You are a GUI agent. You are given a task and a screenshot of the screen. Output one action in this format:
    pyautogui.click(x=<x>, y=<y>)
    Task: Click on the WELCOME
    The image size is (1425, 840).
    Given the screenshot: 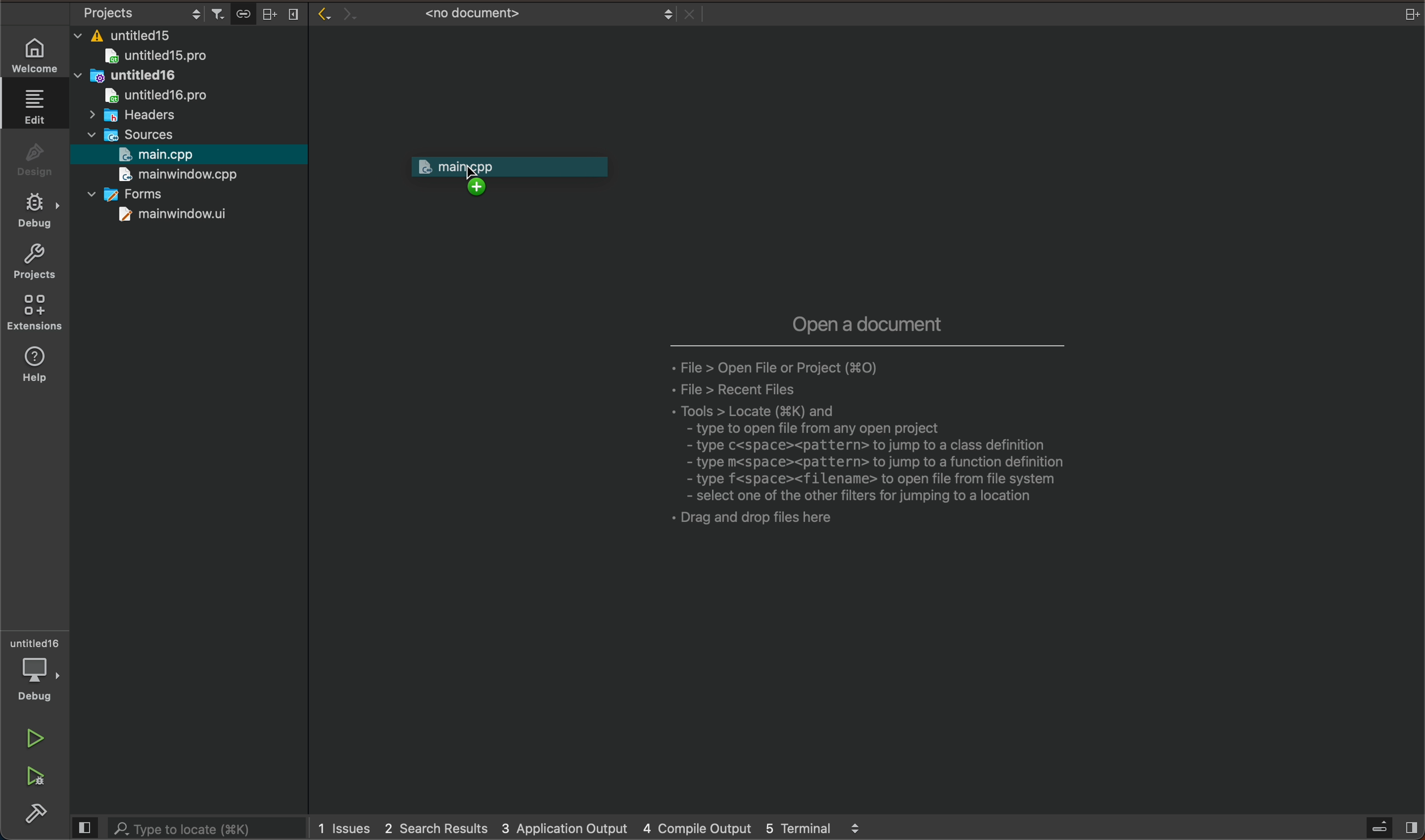 What is the action you would take?
    pyautogui.click(x=35, y=53)
    